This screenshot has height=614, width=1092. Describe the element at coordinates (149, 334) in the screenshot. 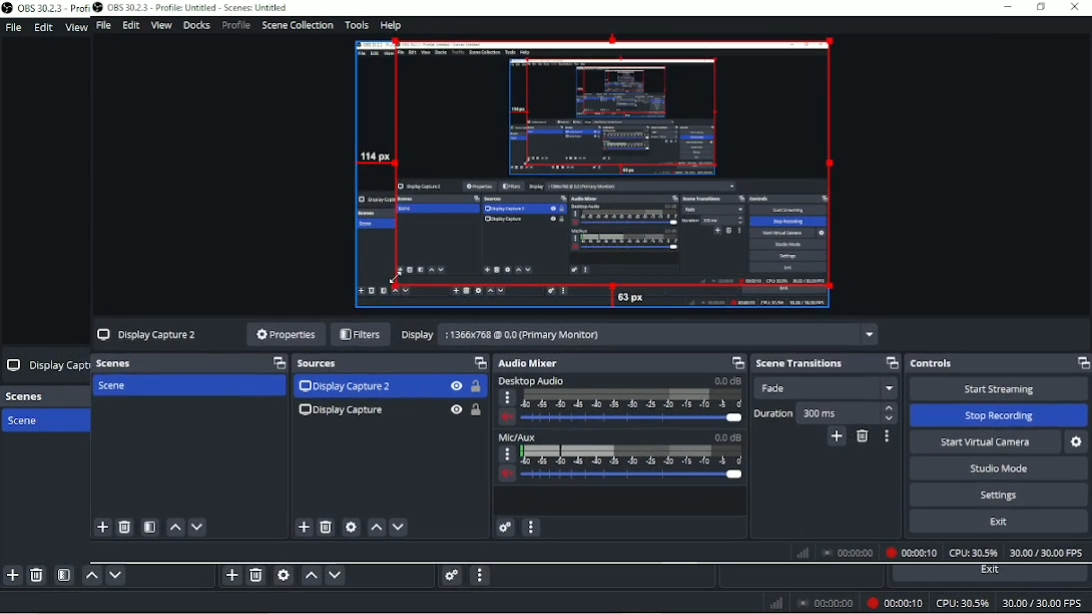

I see `Display Capture 2` at that location.